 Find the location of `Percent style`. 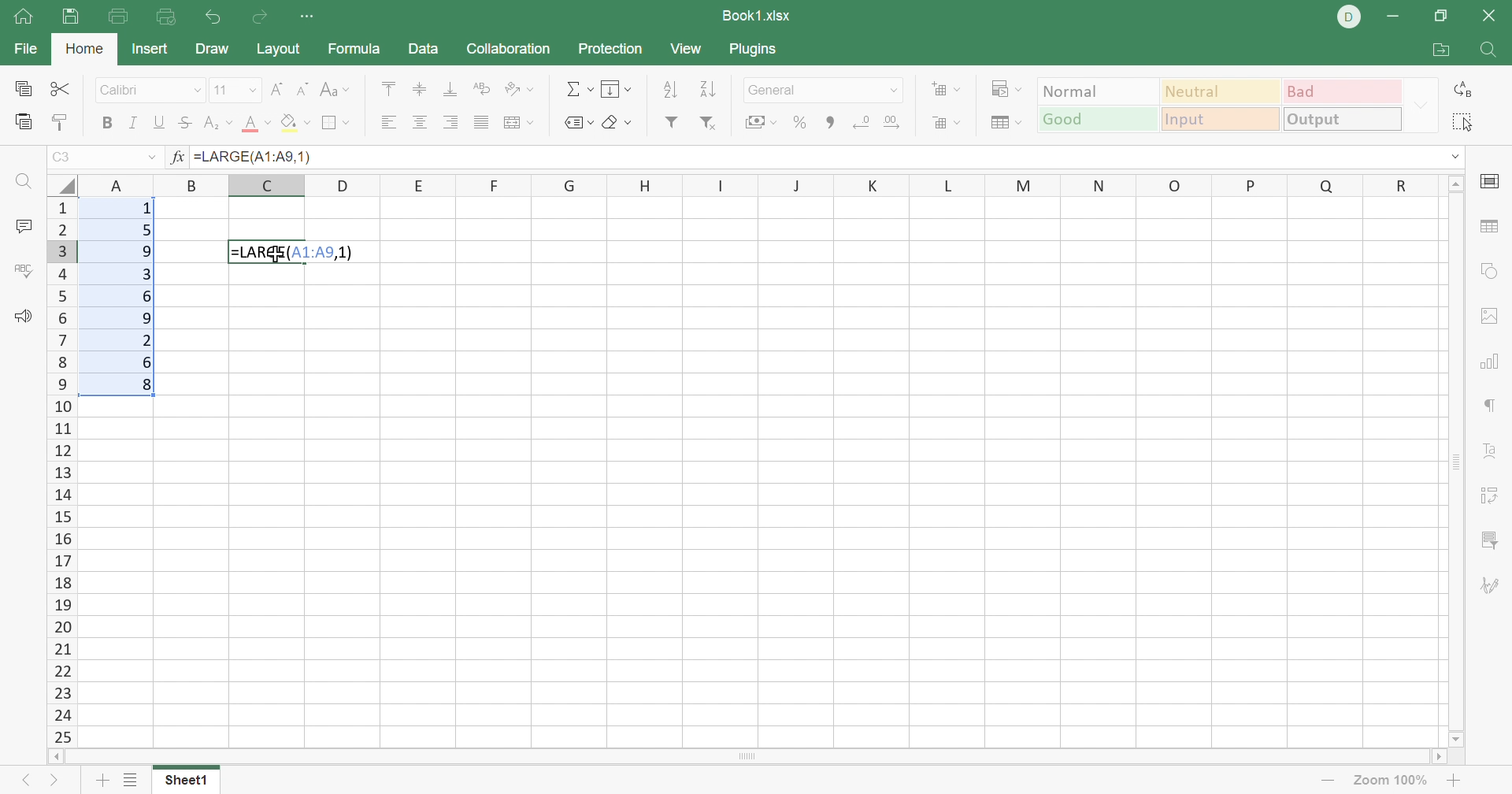

Percent style is located at coordinates (798, 122).